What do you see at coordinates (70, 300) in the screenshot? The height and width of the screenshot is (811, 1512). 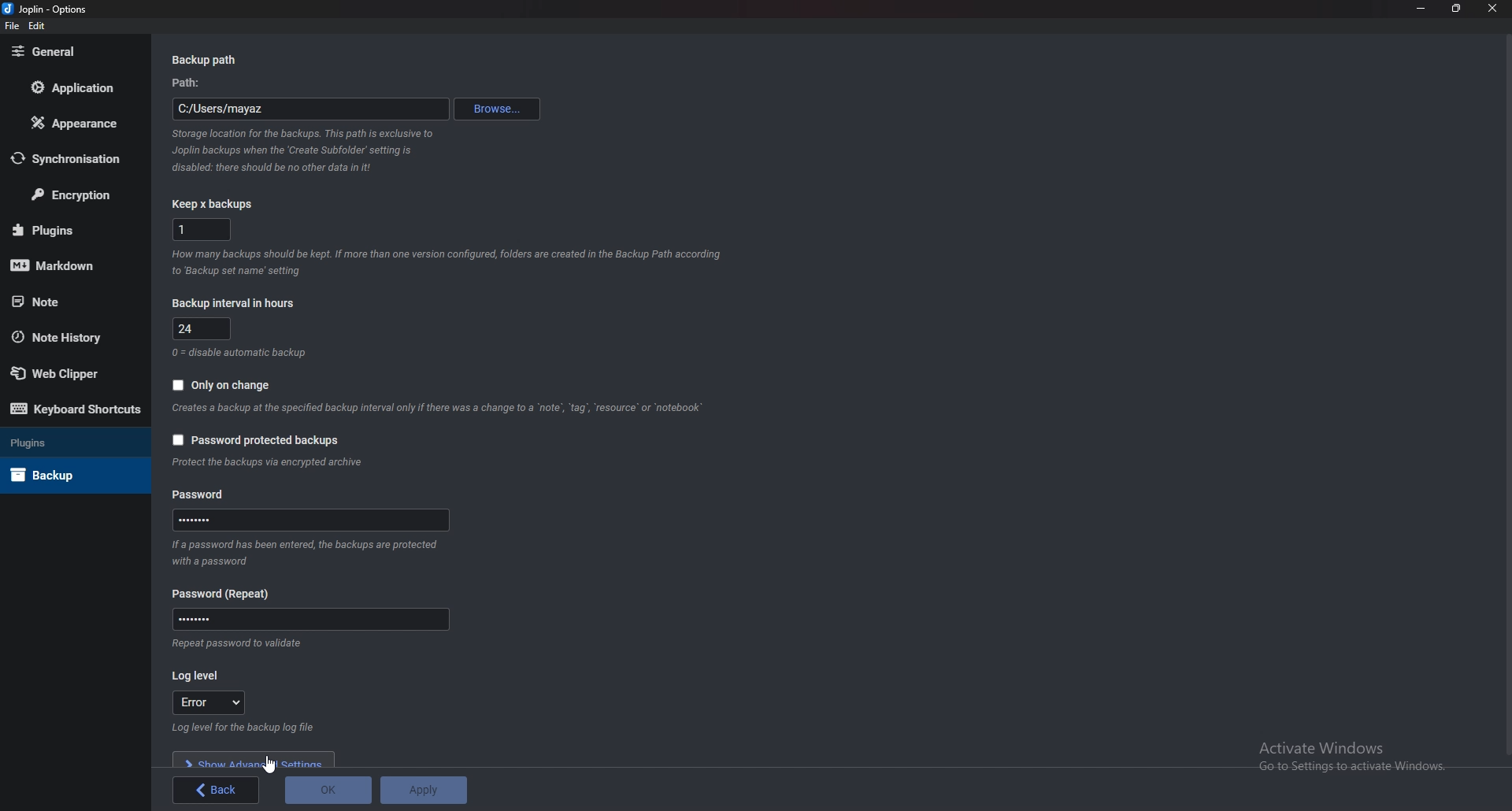 I see `Note` at bounding box center [70, 300].